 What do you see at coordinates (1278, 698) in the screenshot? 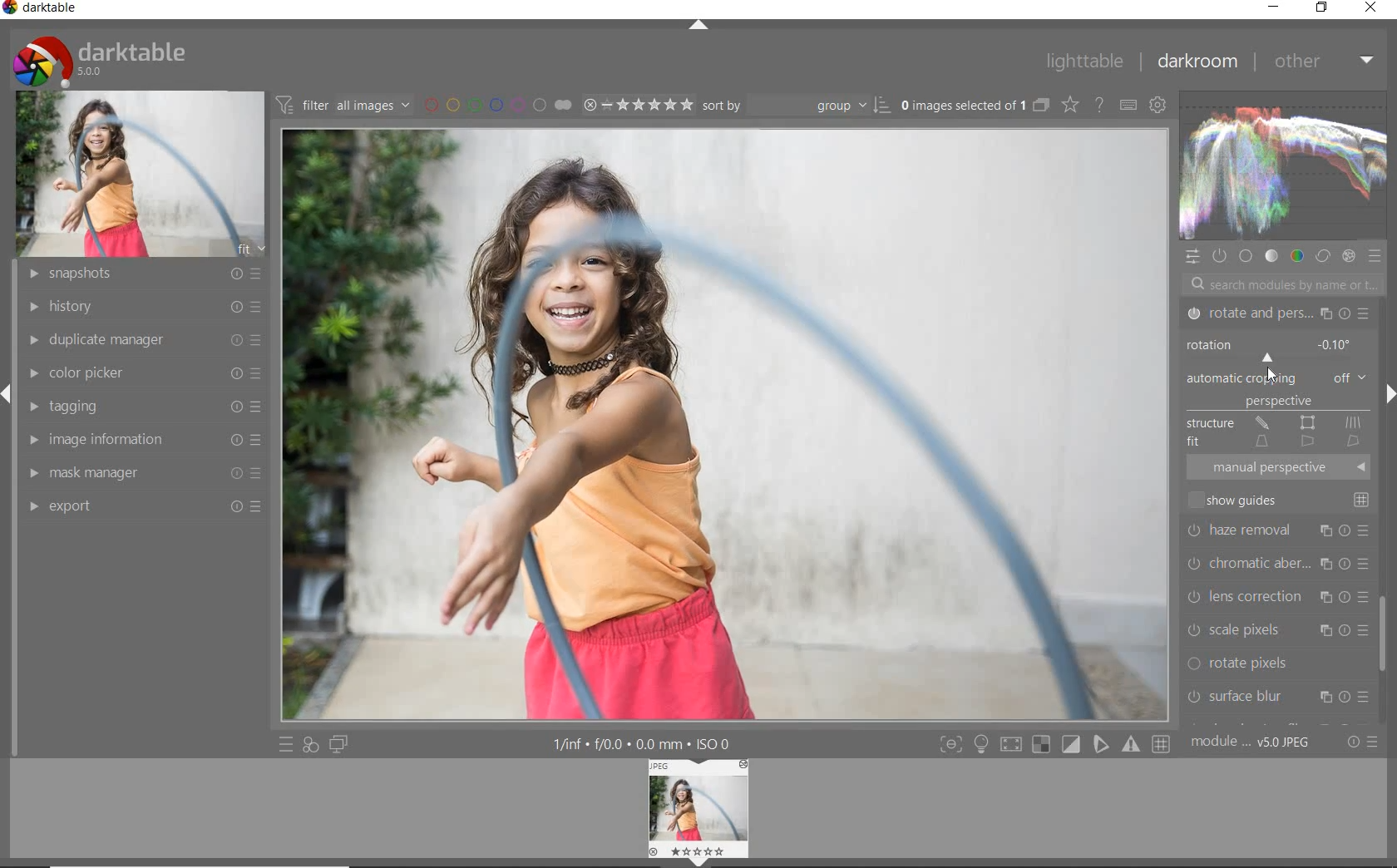
I see `surface blur` at bounding box center [1278, 698].